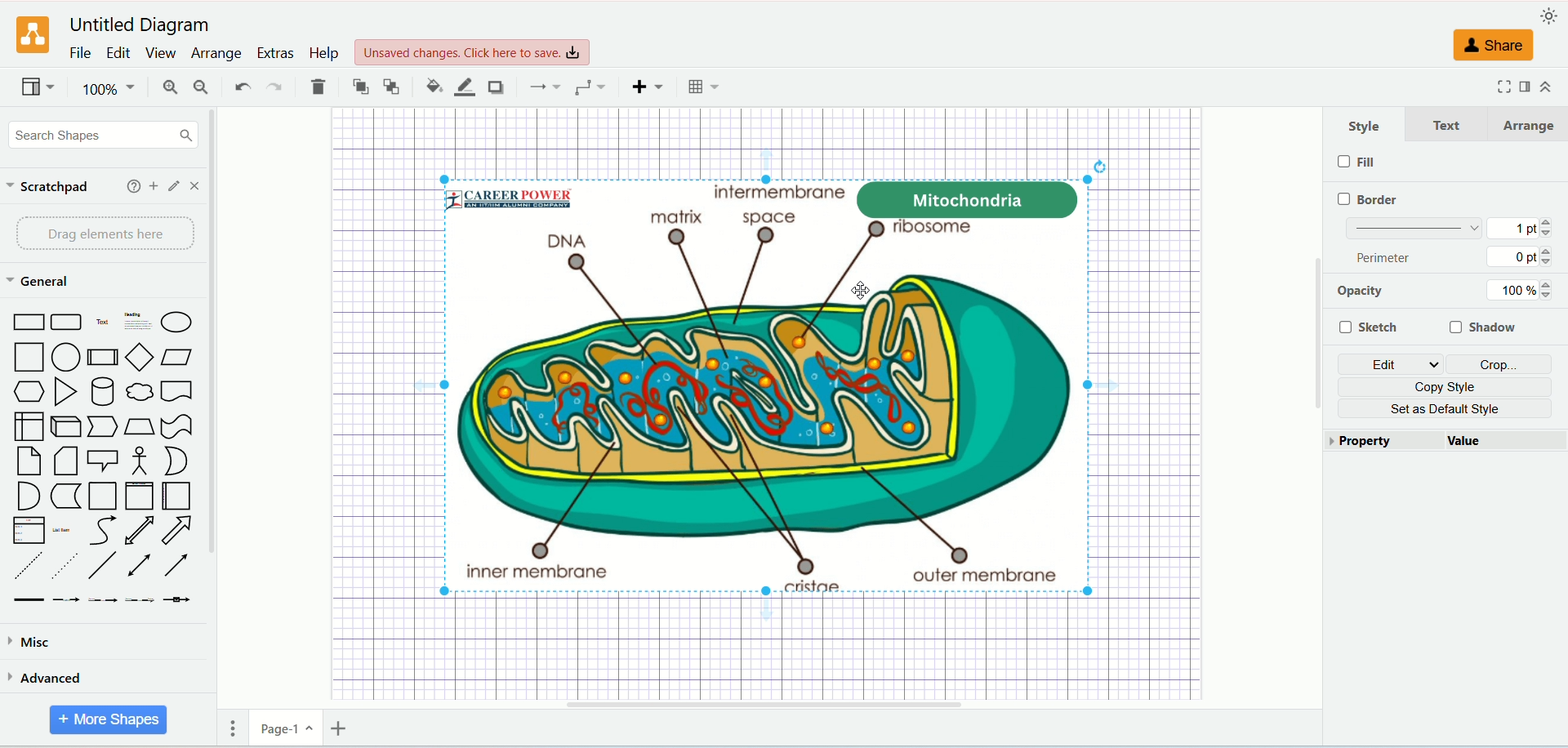  I want to click on List Item, so click(63, 530).